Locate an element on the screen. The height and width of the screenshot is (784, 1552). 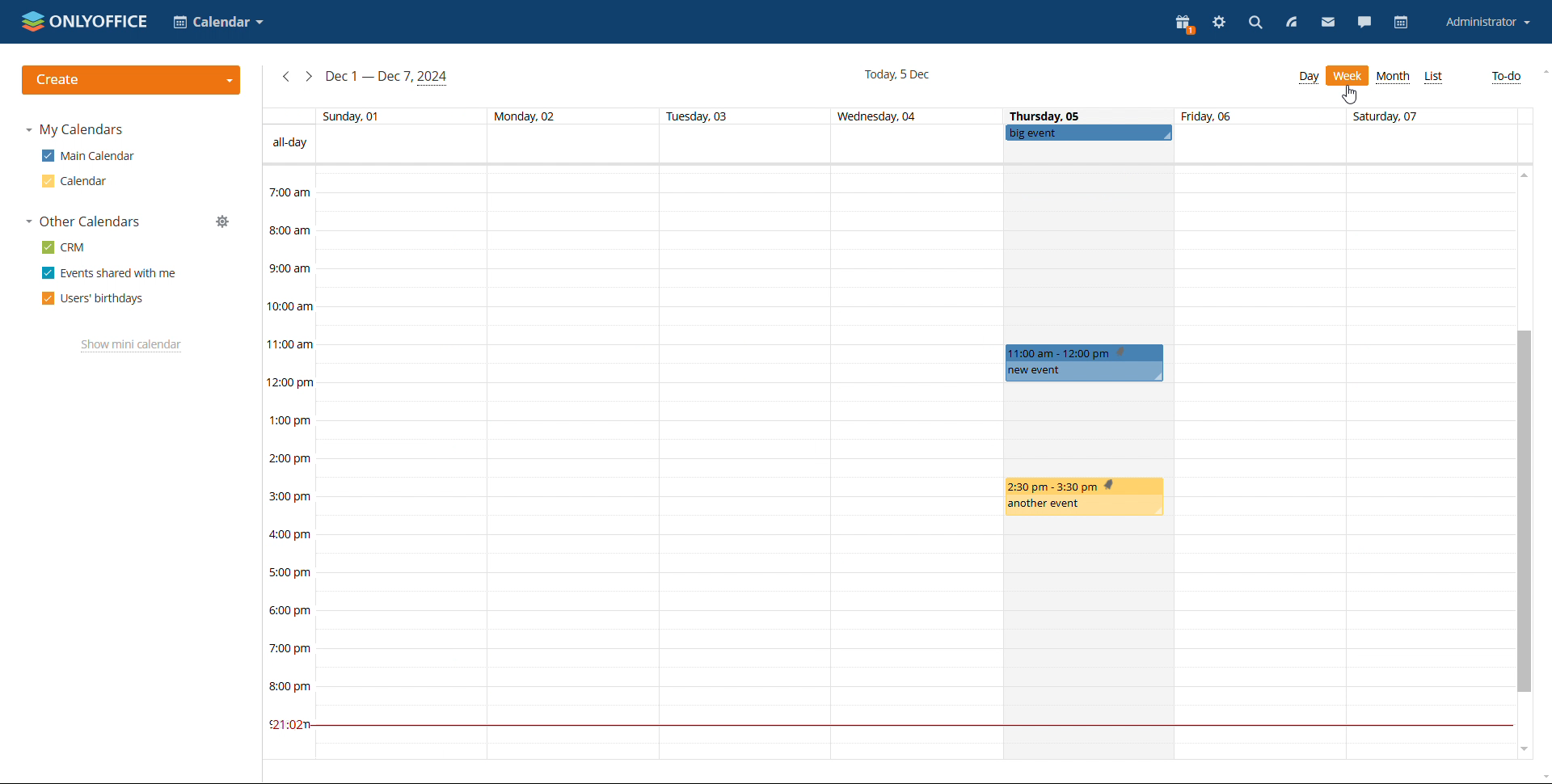
11:00am - 12:00pm new event  is located at coordinates (1083, 364).